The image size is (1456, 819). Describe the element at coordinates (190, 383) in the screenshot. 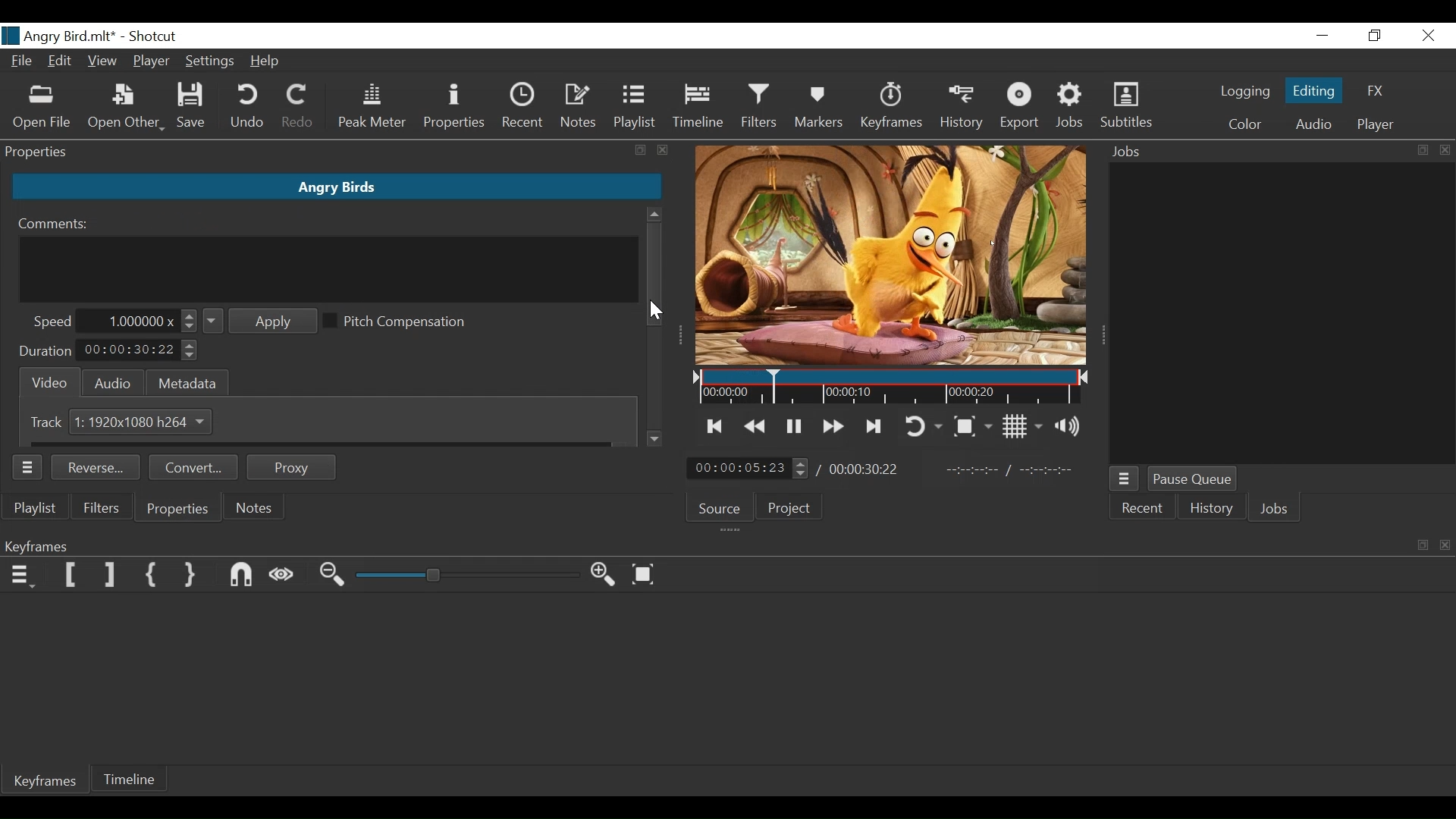

I see `Metadat` at that location.